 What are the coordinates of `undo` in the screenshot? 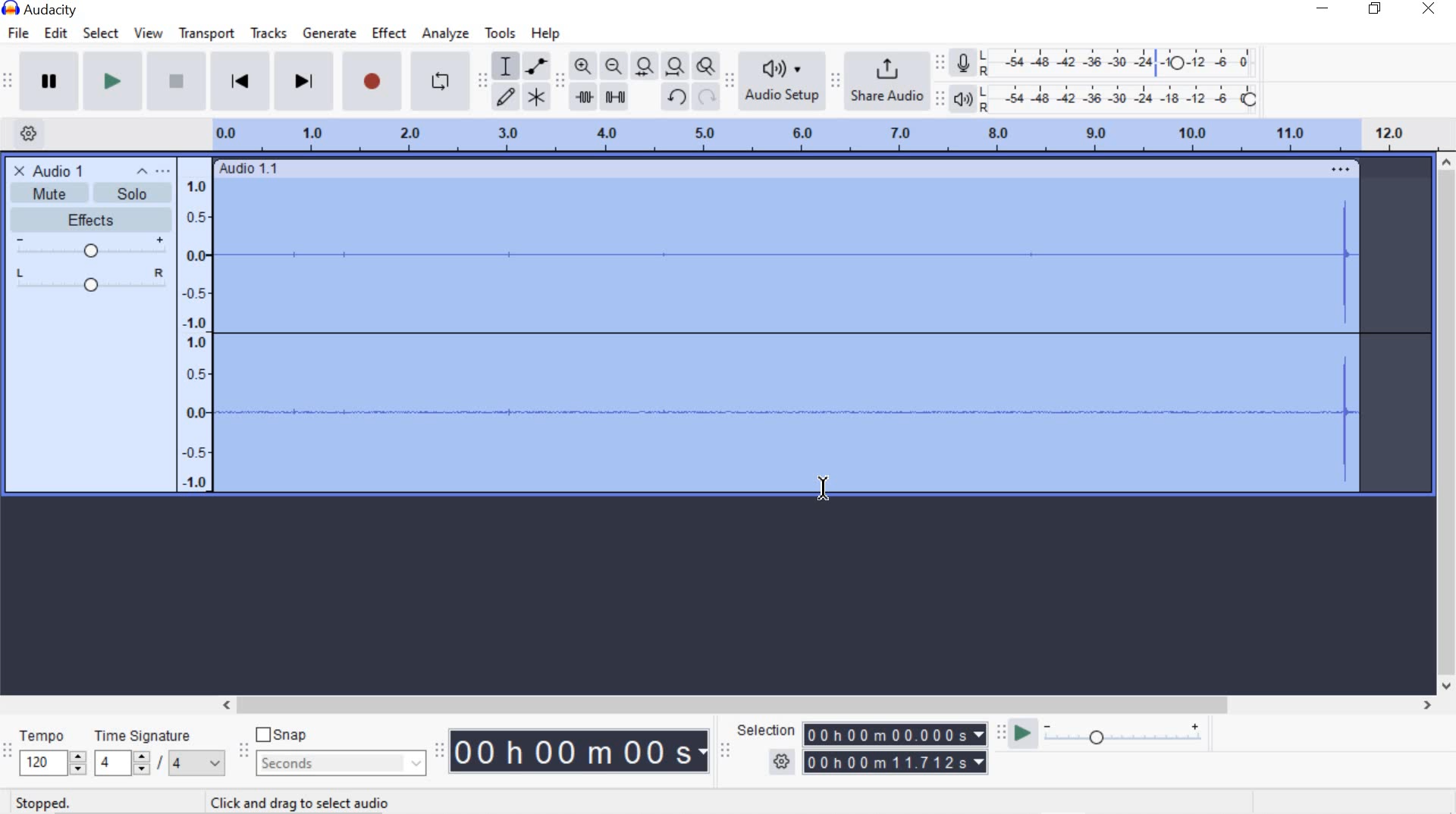 It's located at (676, 96).